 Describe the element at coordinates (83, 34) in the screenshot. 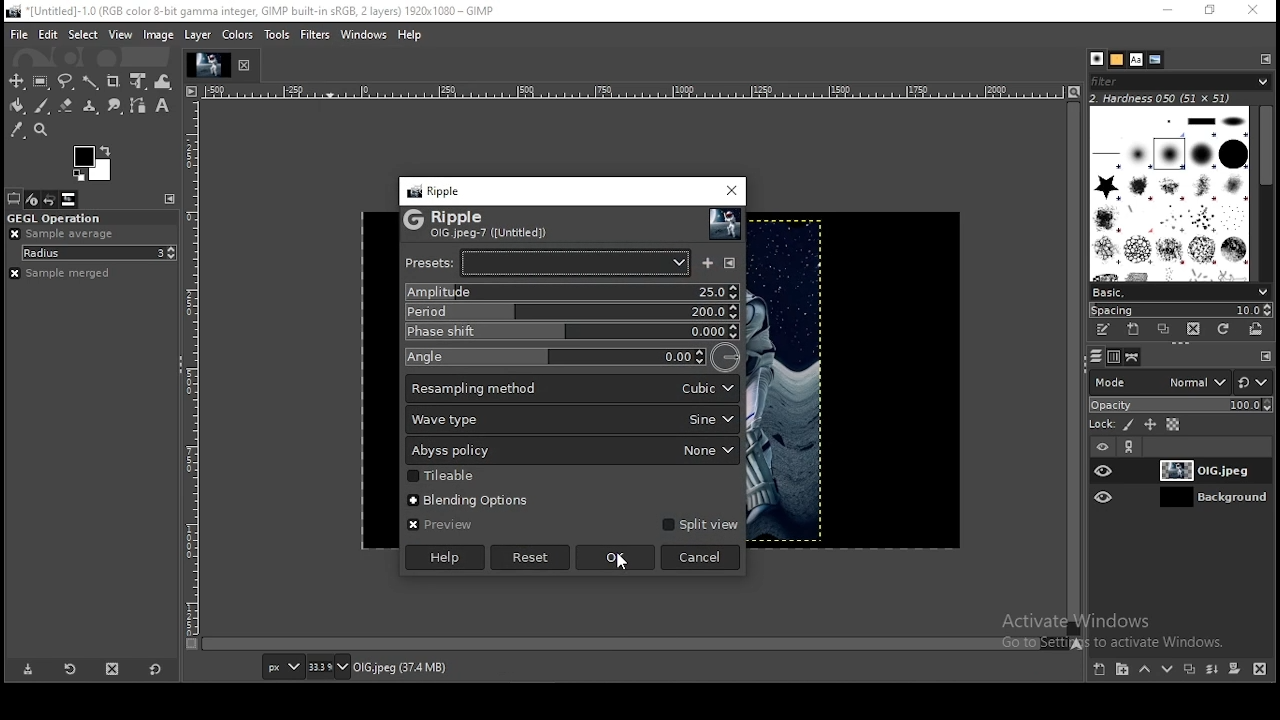

I see `elect` at that location.